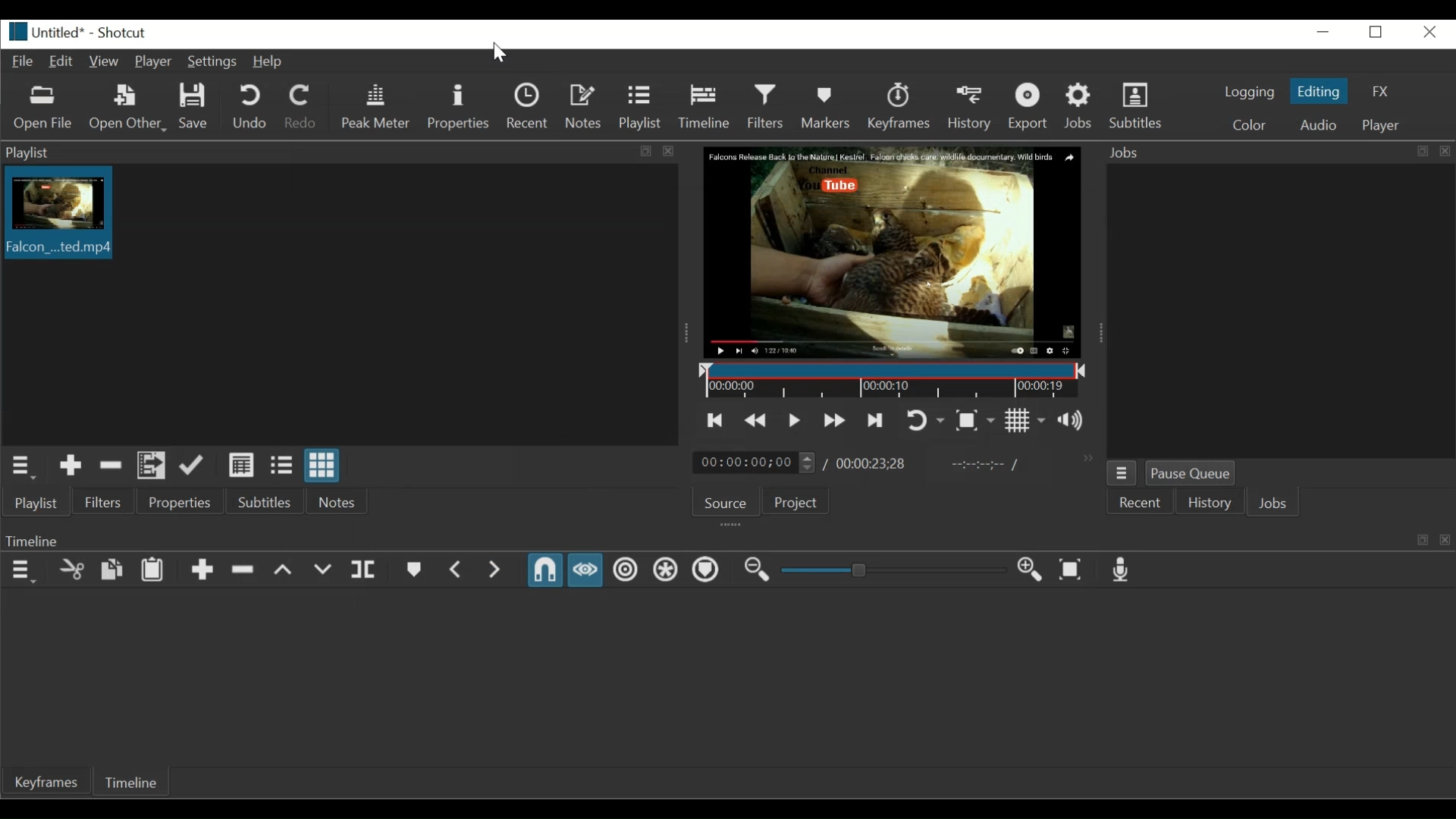  Describe the element at coordinates (340, 500) in the screenshot. I see `Notes` at that location.